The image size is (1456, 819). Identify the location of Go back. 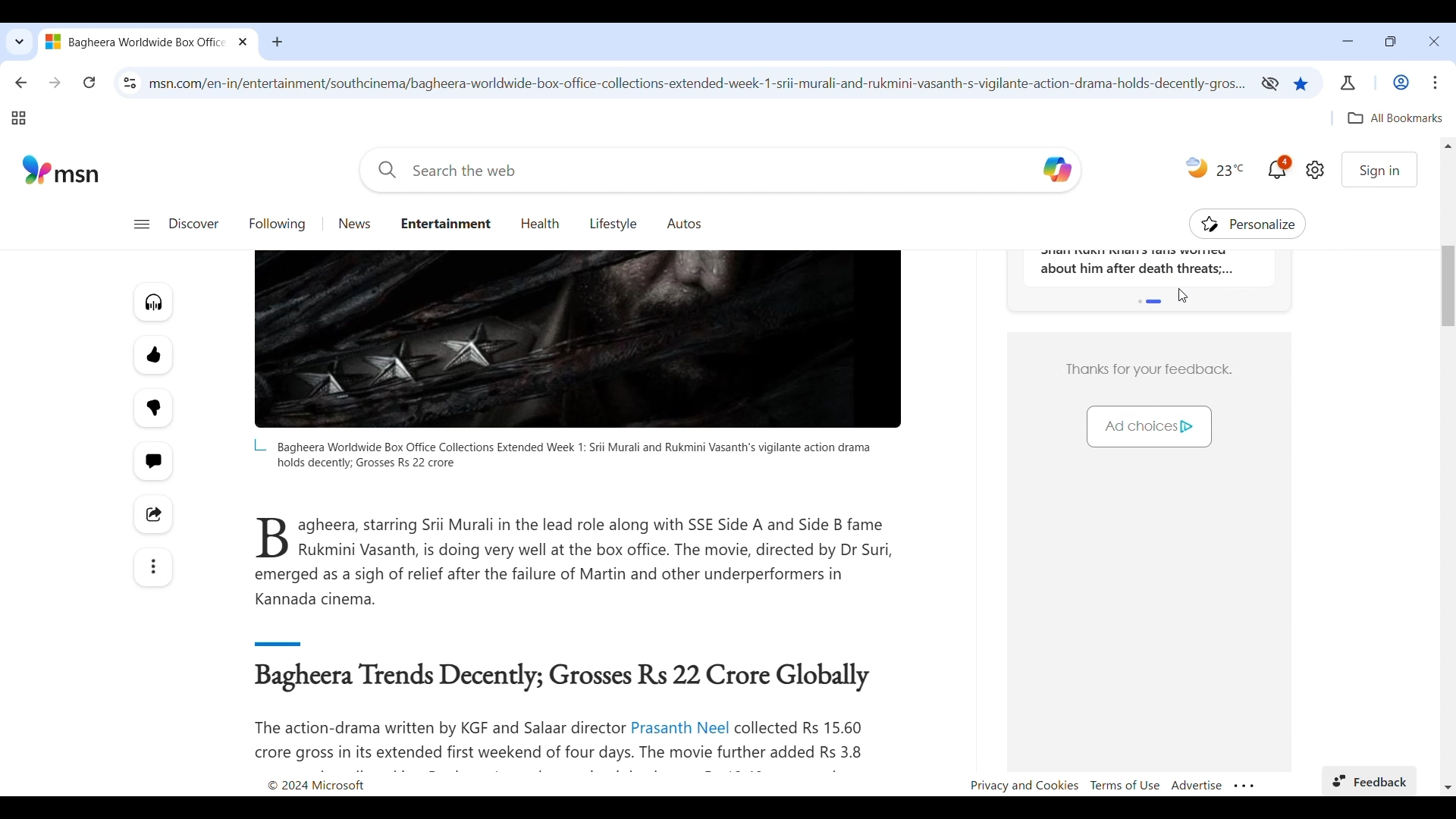
(21, 82).